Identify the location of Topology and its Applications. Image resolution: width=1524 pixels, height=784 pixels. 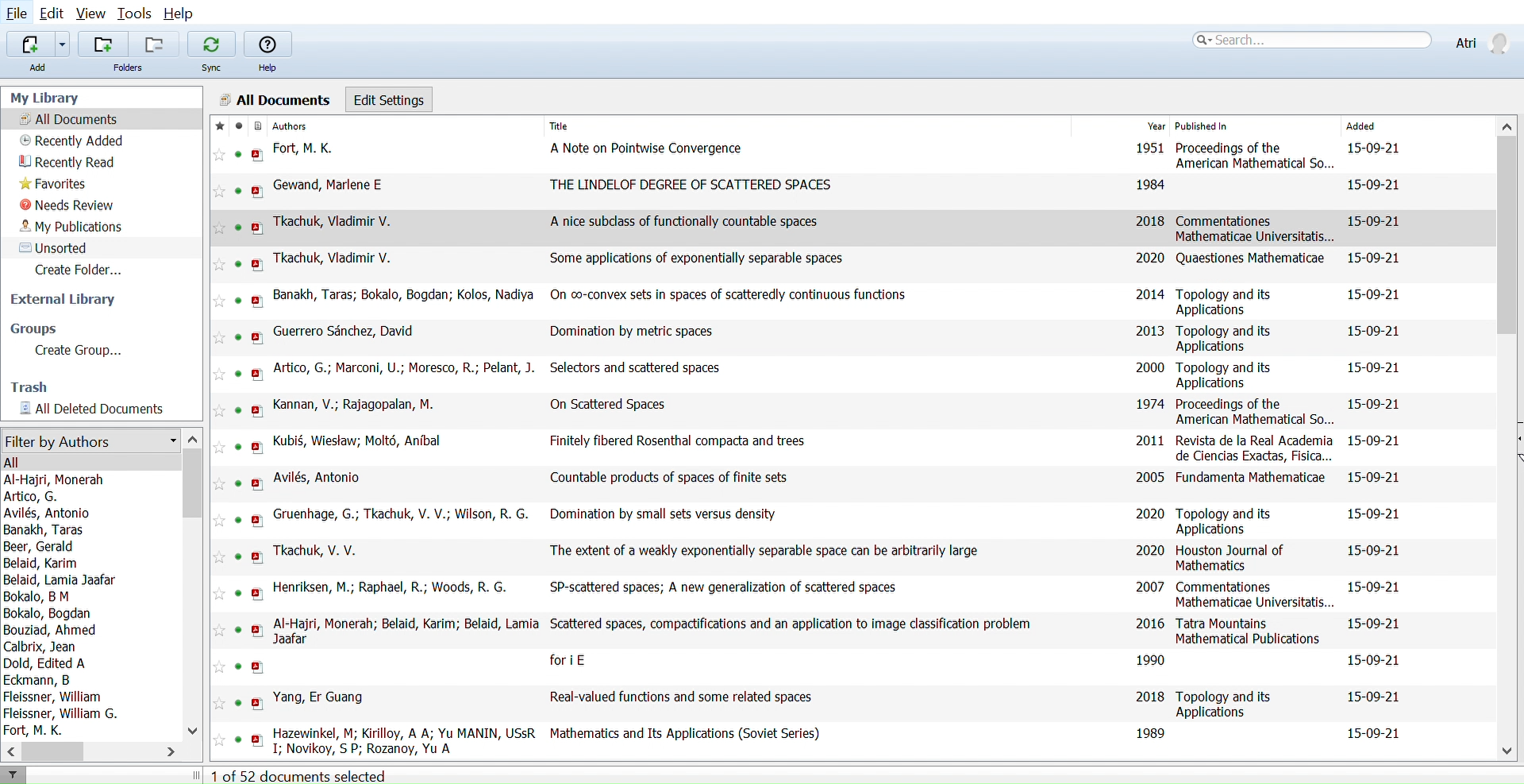
(1229, 705).